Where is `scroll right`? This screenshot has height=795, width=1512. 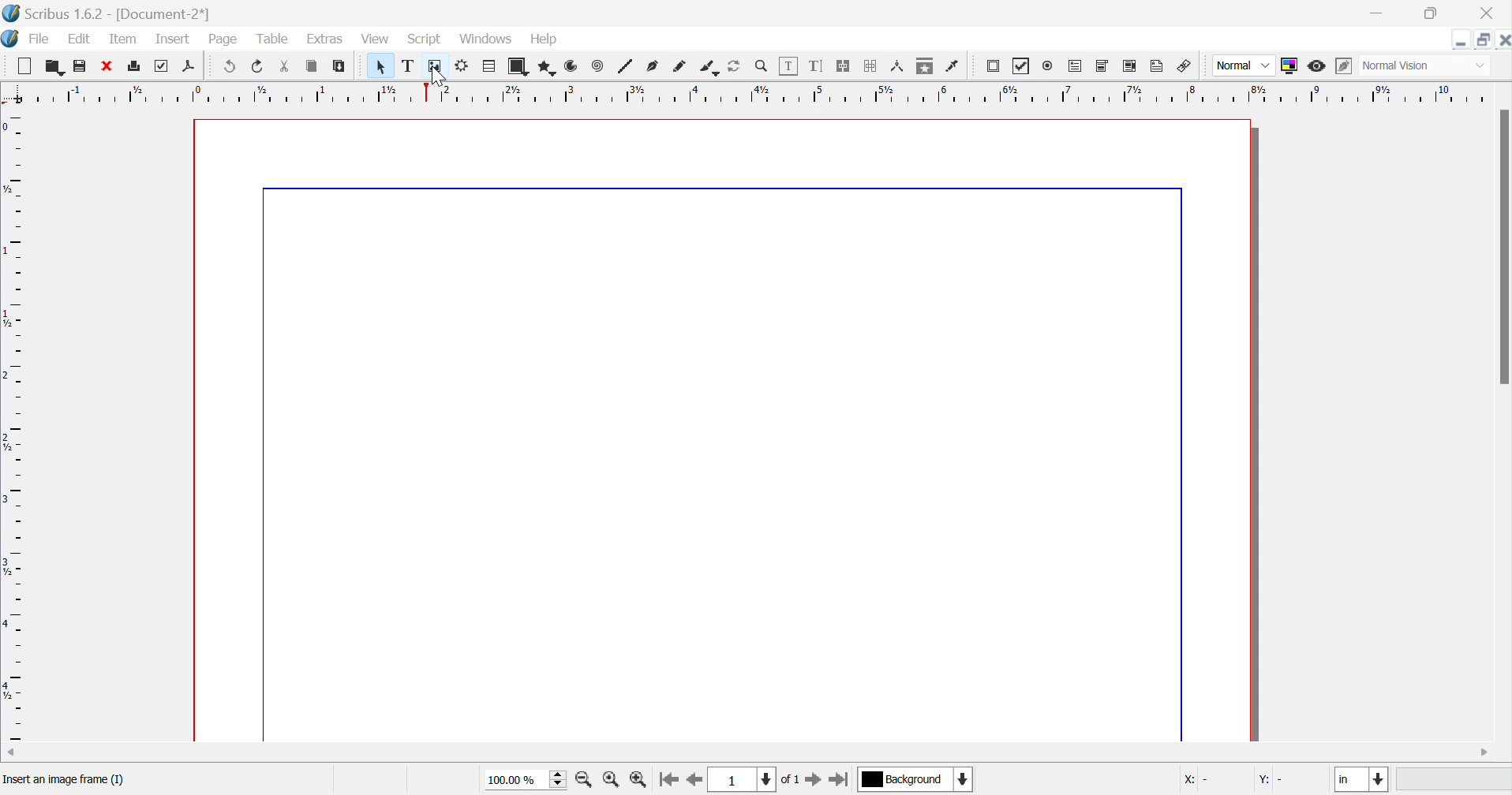
scroll right is located at coordinates (1485, 752).